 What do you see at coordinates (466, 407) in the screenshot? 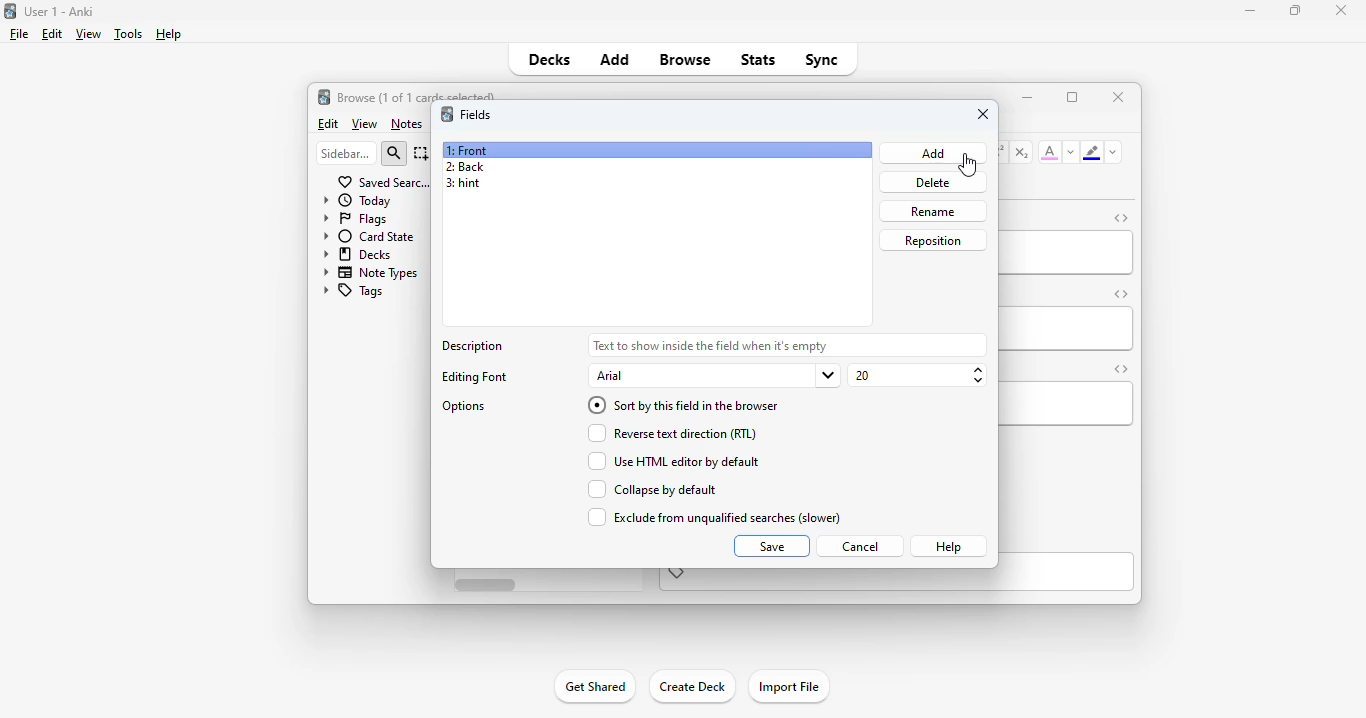
I see `options` at bounding box center [466, 407].